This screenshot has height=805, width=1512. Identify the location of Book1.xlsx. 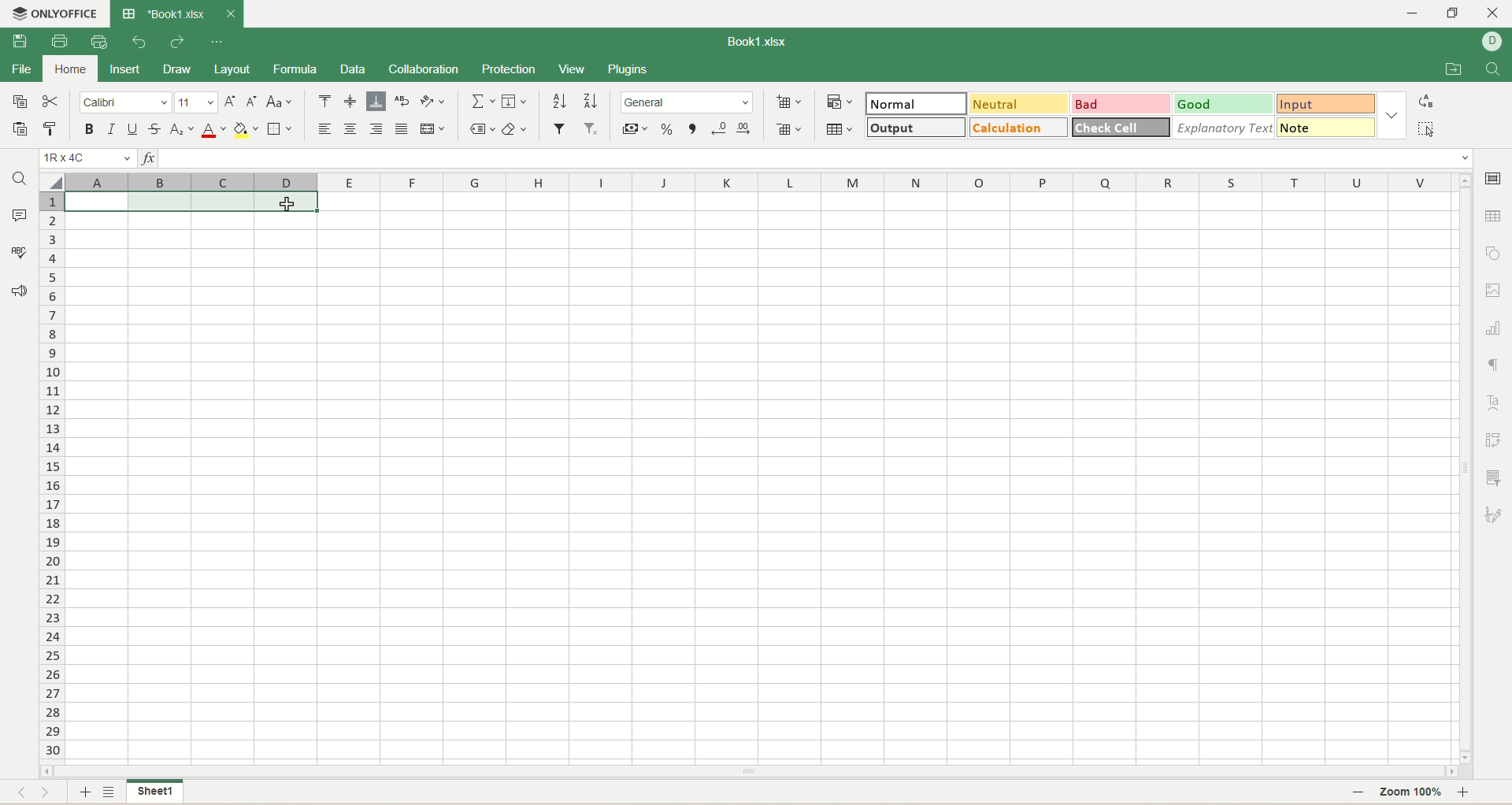
(751, 40).